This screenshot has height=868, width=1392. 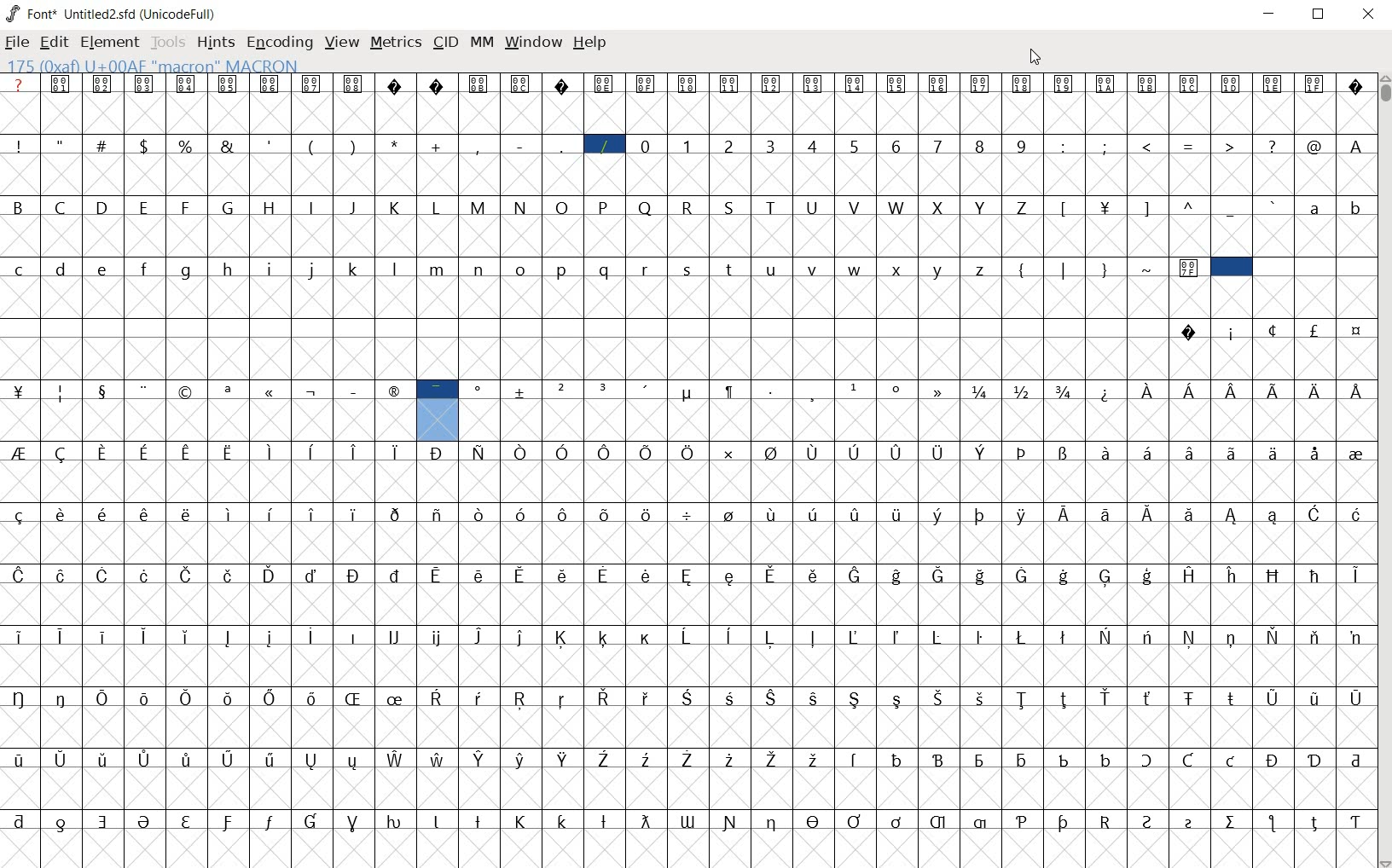 What do you see at coordinates (1252, 410) in the screenshot?
I see `Latin extended characters` at bounding box center [1252, 410].